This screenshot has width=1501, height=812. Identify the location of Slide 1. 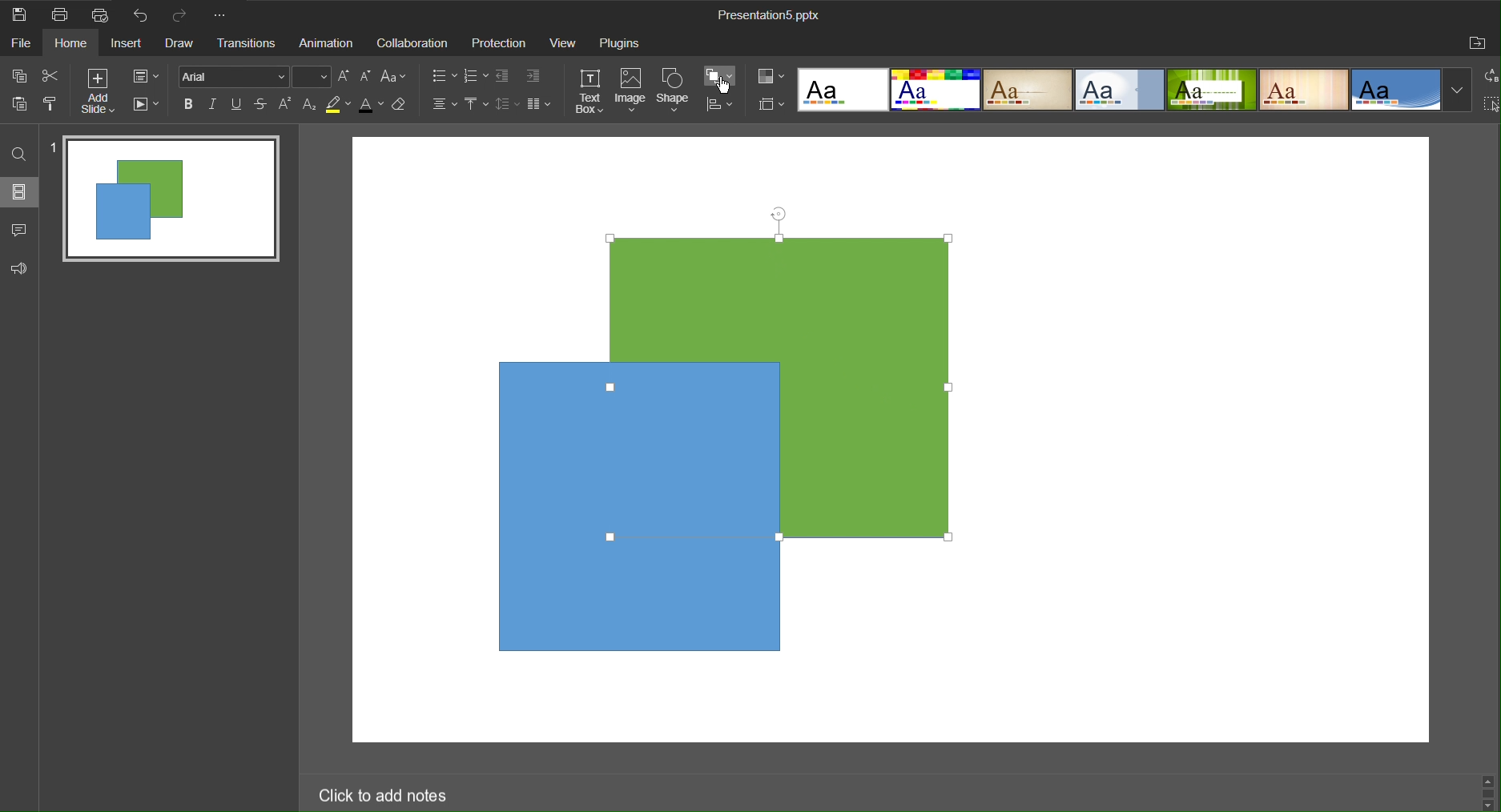
(166, 195).